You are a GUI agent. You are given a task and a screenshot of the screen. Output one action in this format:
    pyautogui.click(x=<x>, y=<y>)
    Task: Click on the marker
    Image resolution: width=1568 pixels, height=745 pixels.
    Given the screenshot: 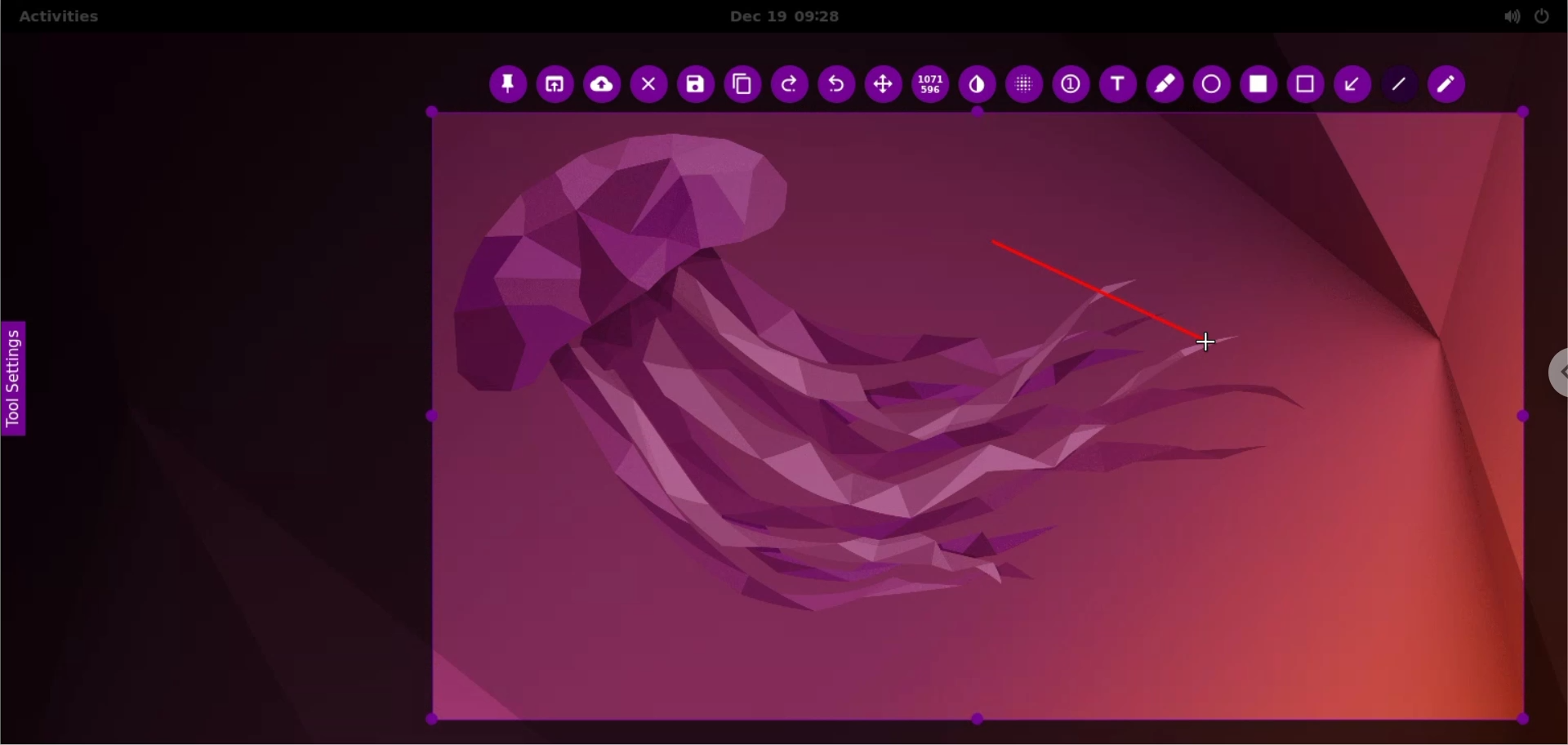 What is the action you would take?
    pyautogui.click(x=1164, y=85)
    